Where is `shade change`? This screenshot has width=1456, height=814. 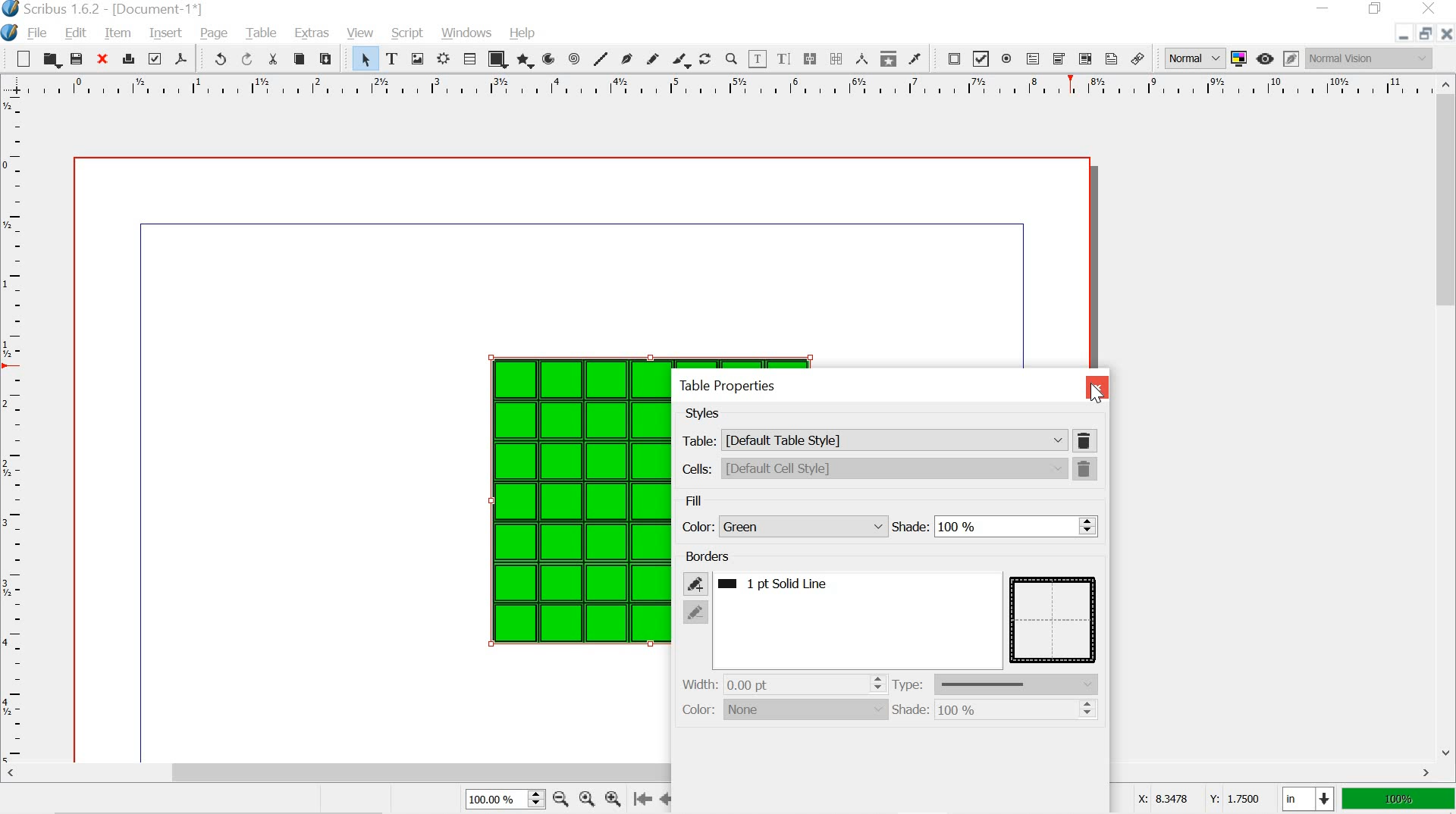
shade change is located at coordinates (1088, 711).